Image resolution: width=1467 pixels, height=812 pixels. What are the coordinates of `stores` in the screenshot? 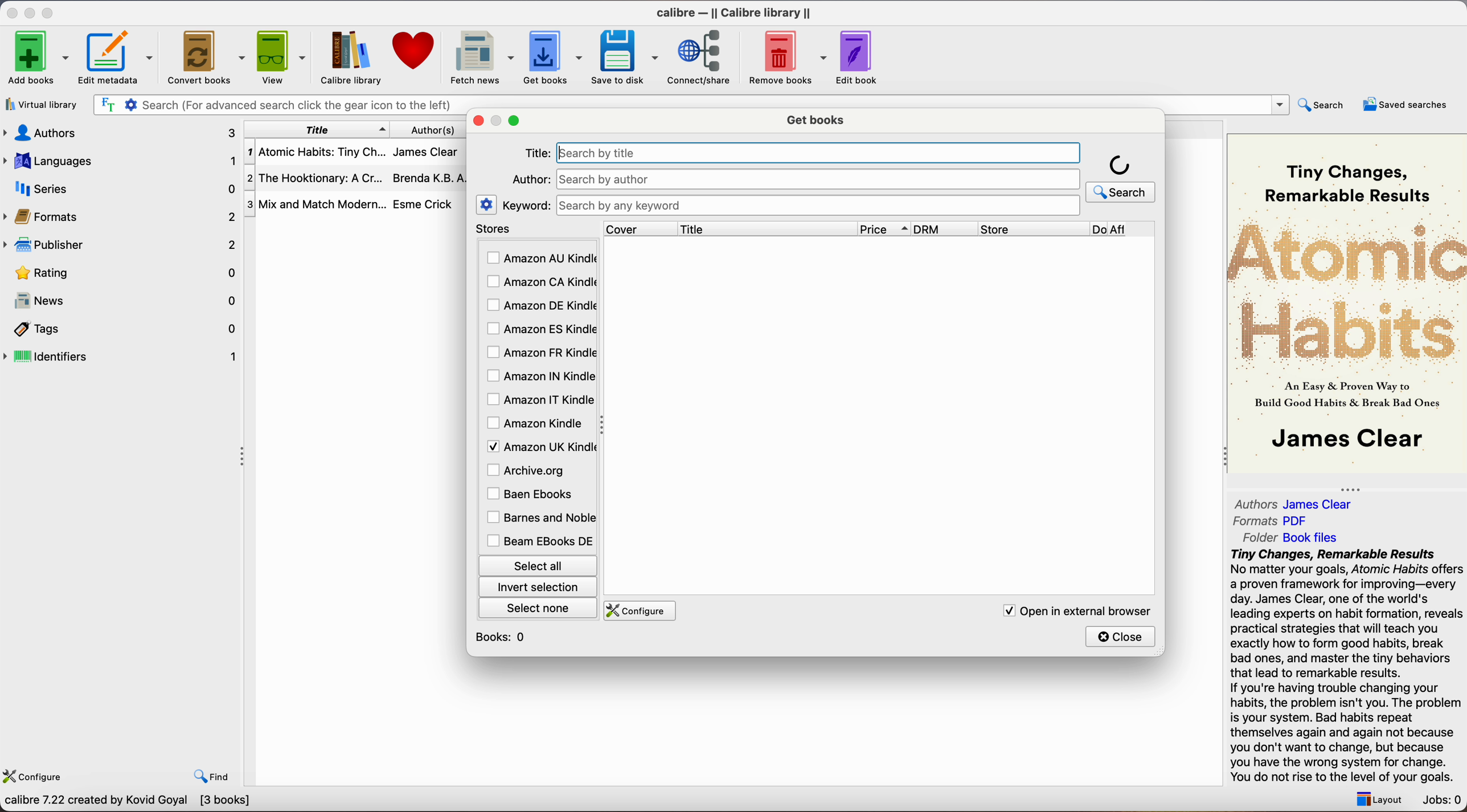 It's located at (536, 229).